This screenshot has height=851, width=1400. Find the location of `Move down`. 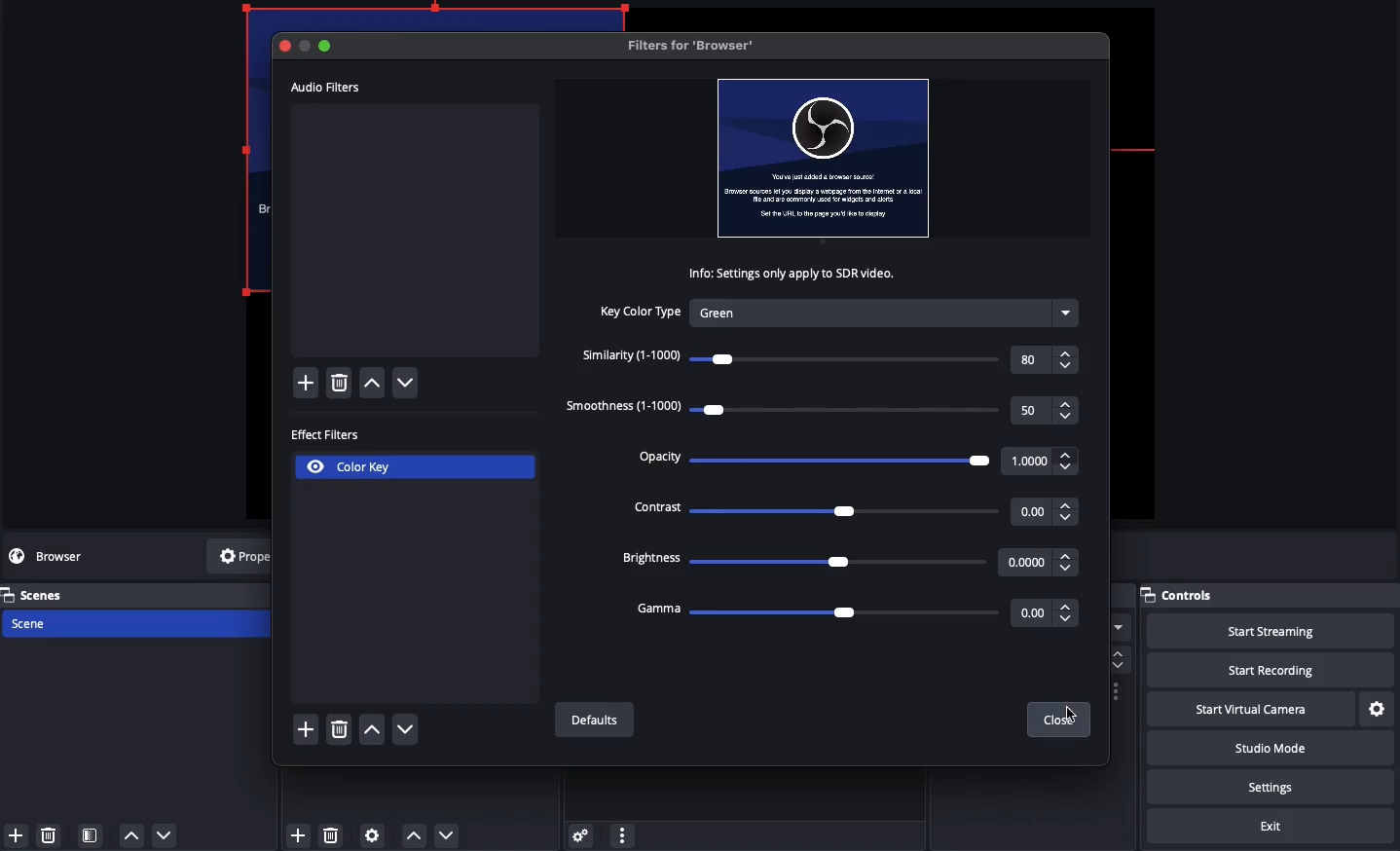

Move down is located at coordinates (444, 835).